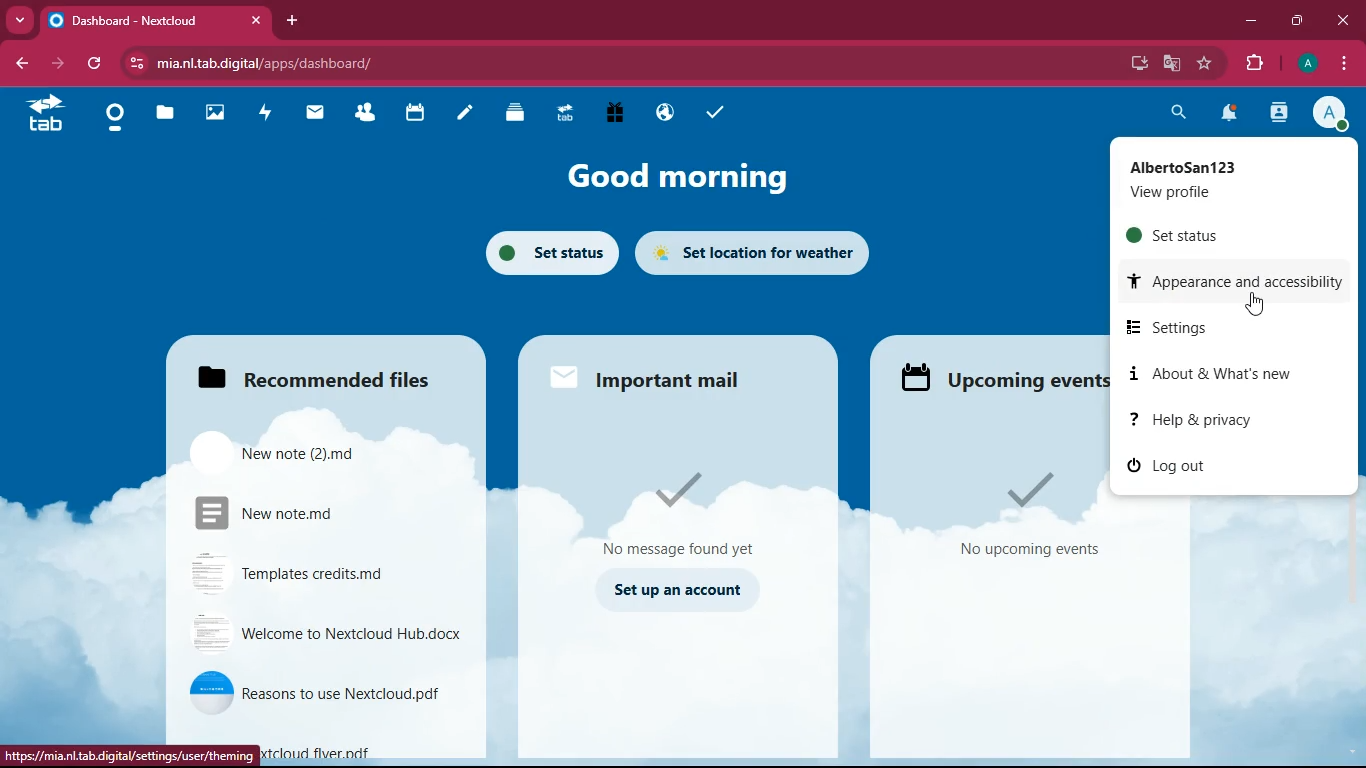 This screenshot has width=1366, height=768. I want to click on tab, so click(53, 112).